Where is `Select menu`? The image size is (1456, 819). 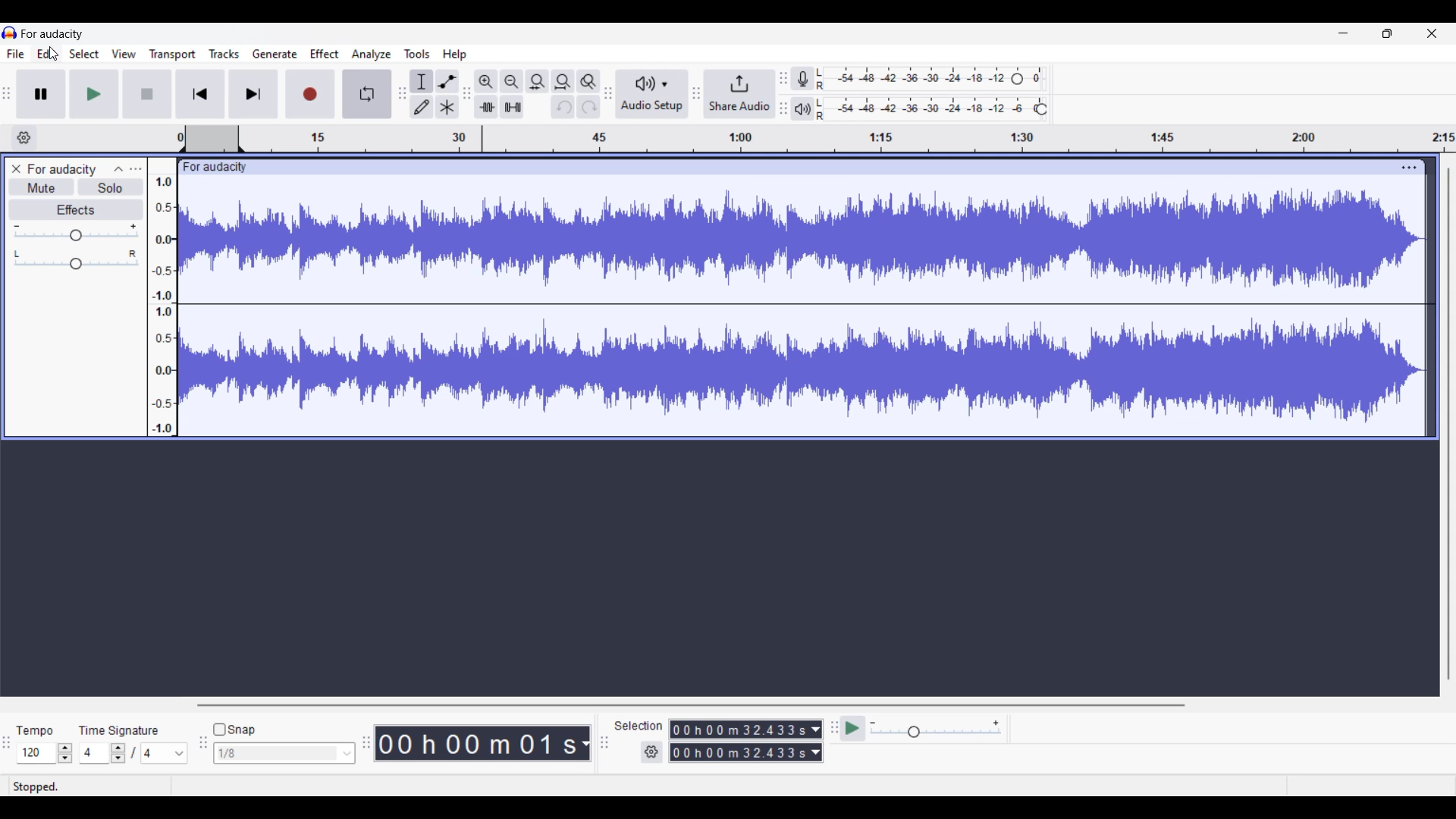 Select menu is located at coordinates (84, 54).